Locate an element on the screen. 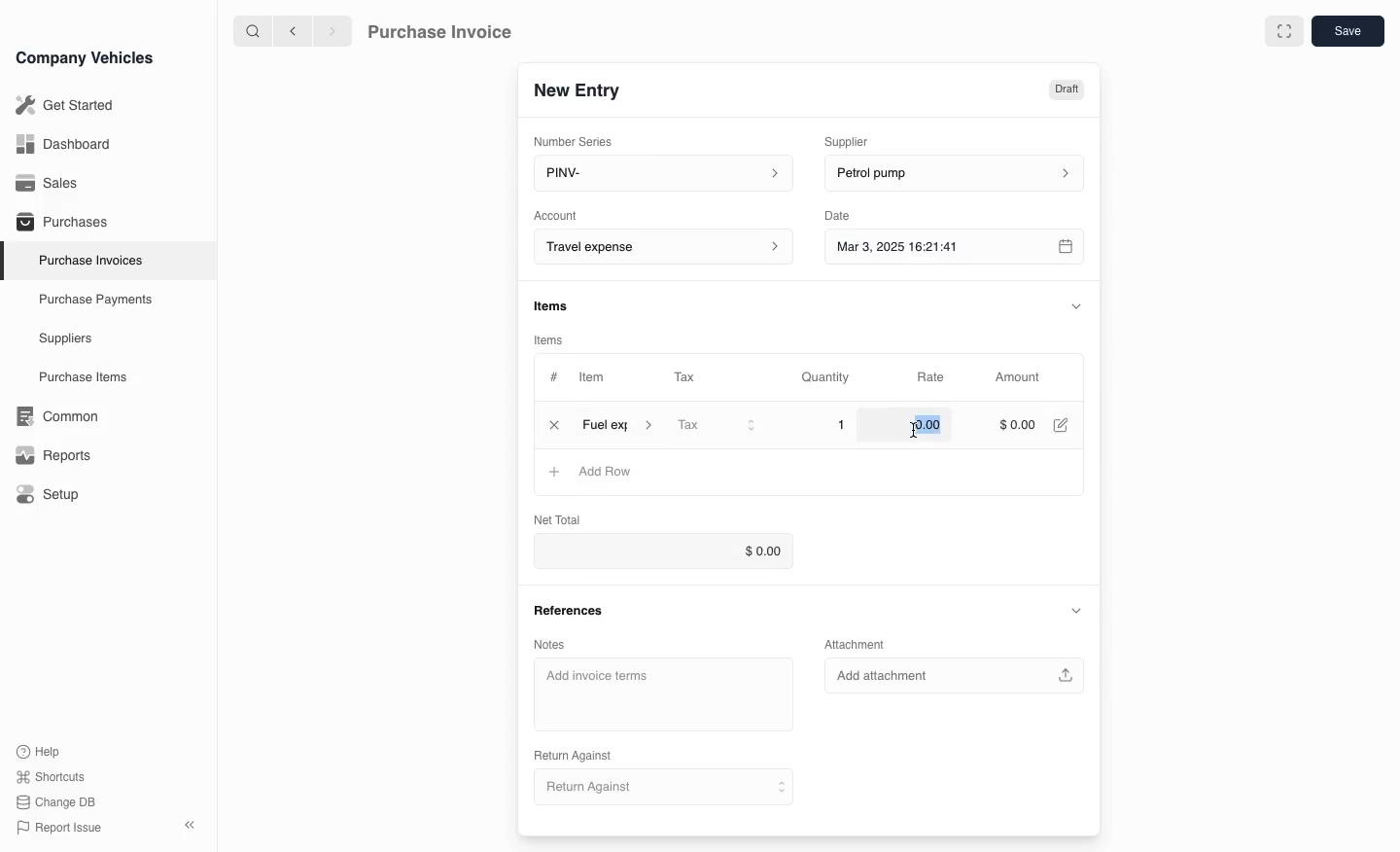 The image size is (1400, 852). calender is located at coordinates (1067, 248).